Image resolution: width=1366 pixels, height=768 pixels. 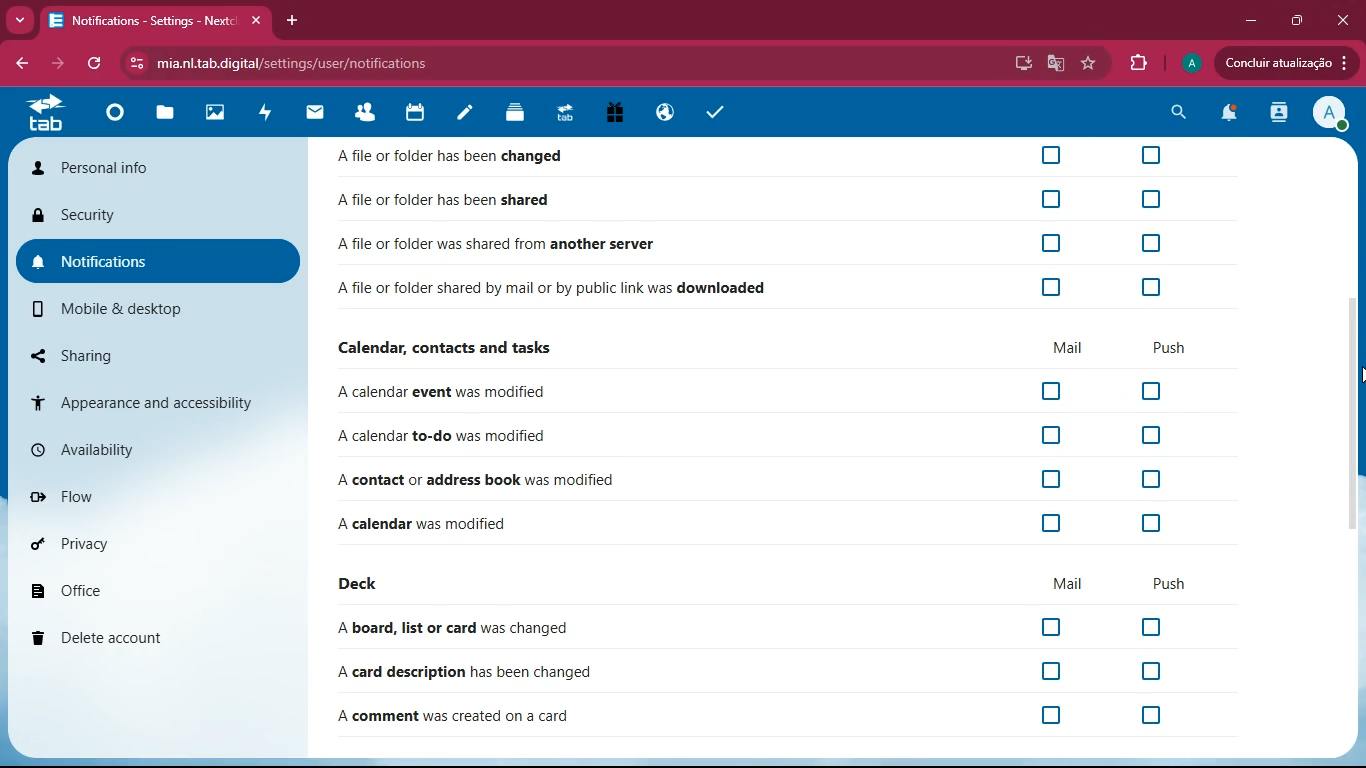 What do you see at coordinates (1154, 244) in the screenshot?
I see `off` at bounding box center [1154, 244].